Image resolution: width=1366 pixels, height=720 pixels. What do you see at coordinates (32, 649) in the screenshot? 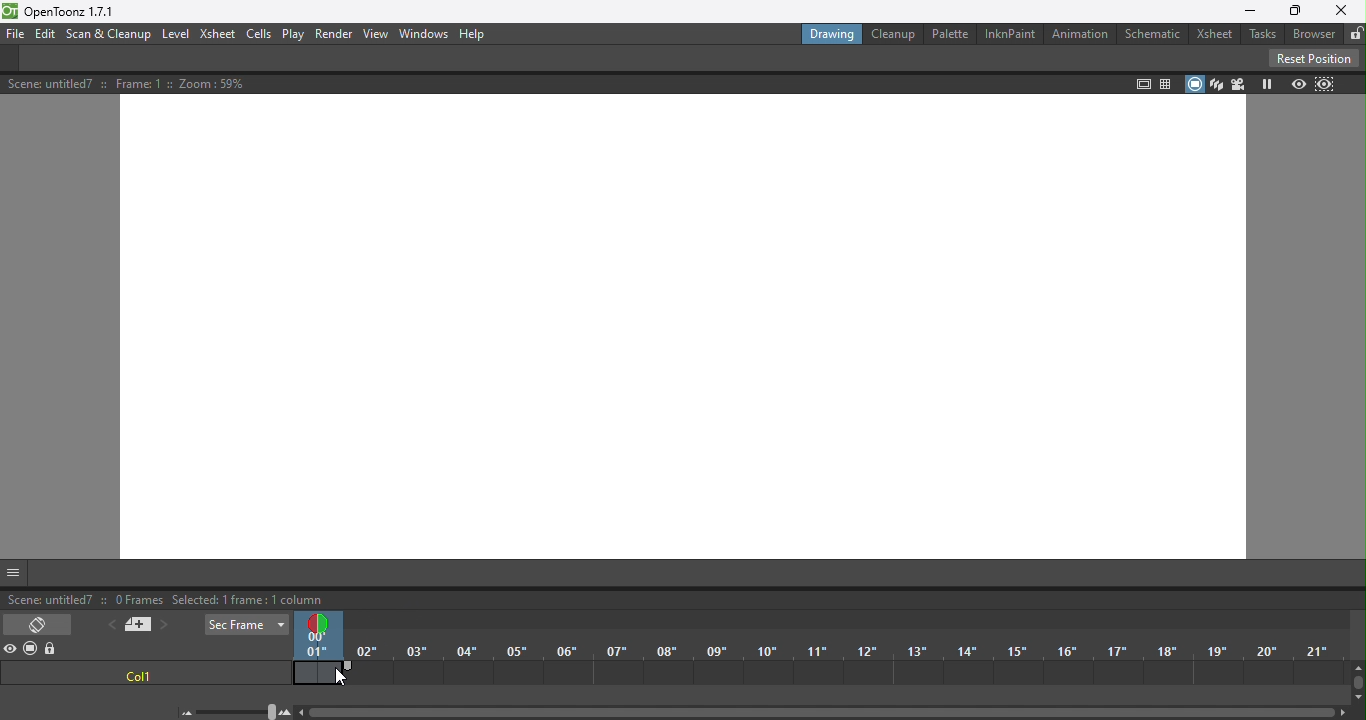
I see `Camera stand visibility toggle all` at bounding box center [32, 649].